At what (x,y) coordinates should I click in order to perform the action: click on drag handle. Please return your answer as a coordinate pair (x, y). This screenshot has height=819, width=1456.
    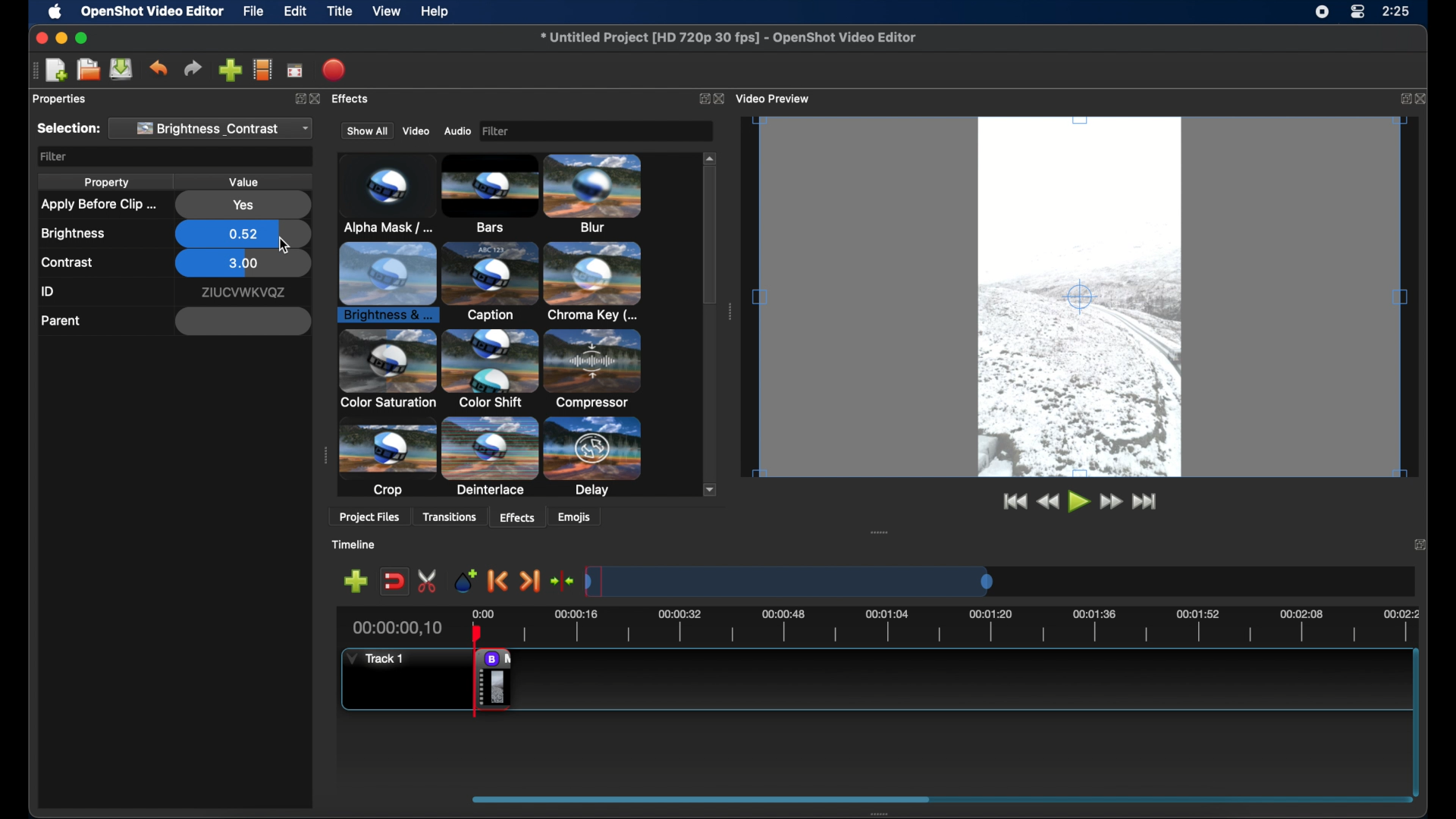
    Looking at the image, I should click on (877, 533).